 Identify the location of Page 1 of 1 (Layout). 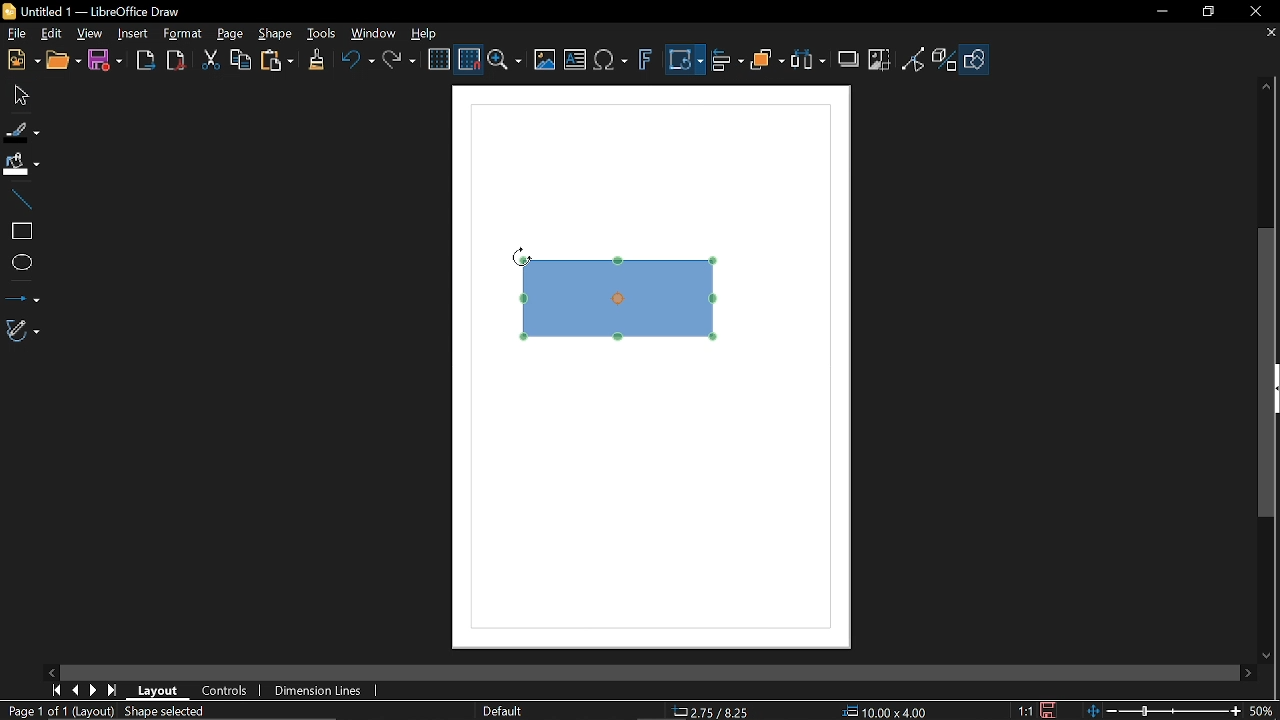
(60, 712).